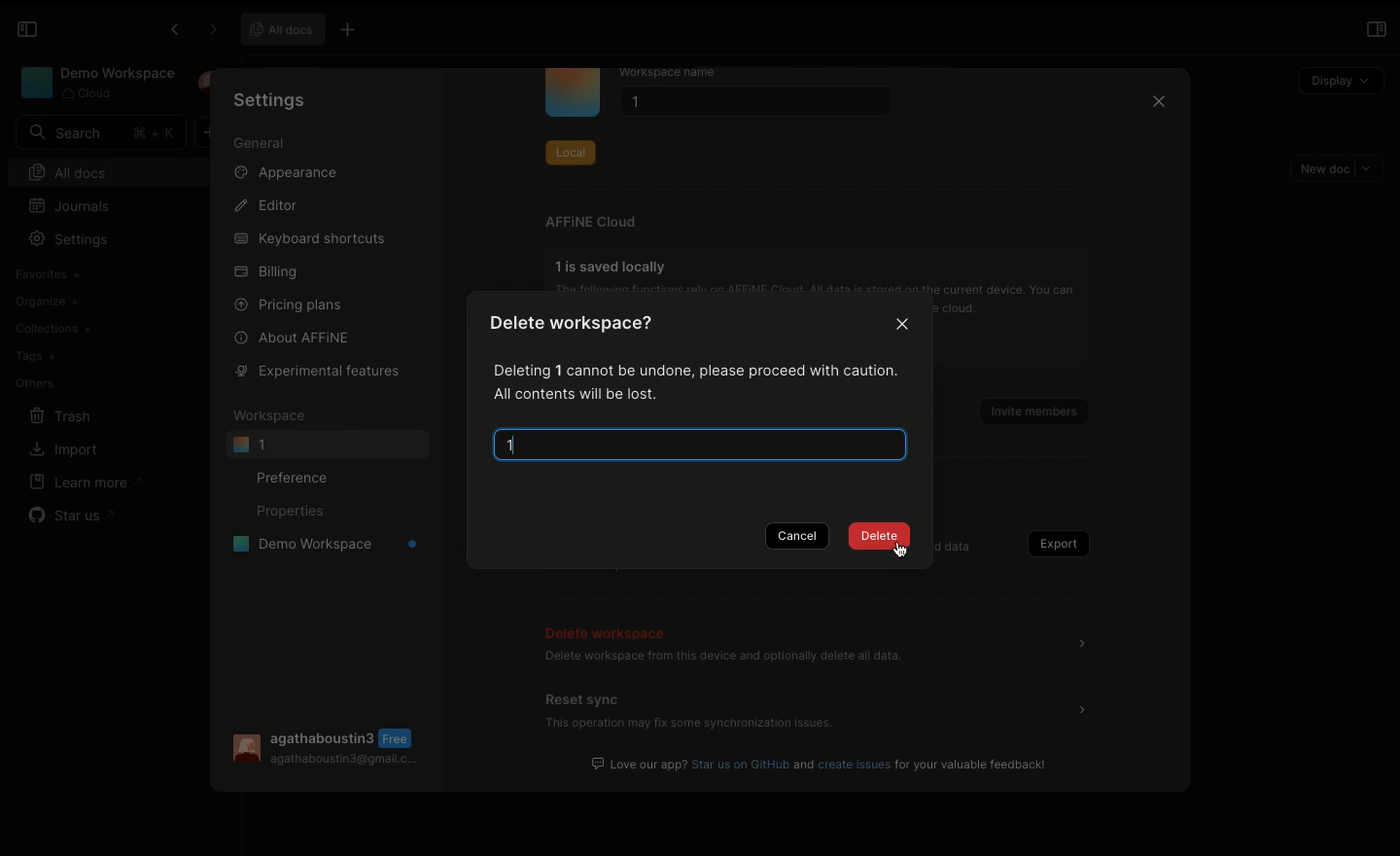 Image resolution: width=1400 pixels, height=856 pixels. I want to click on Reset sync, so click(585, 698).